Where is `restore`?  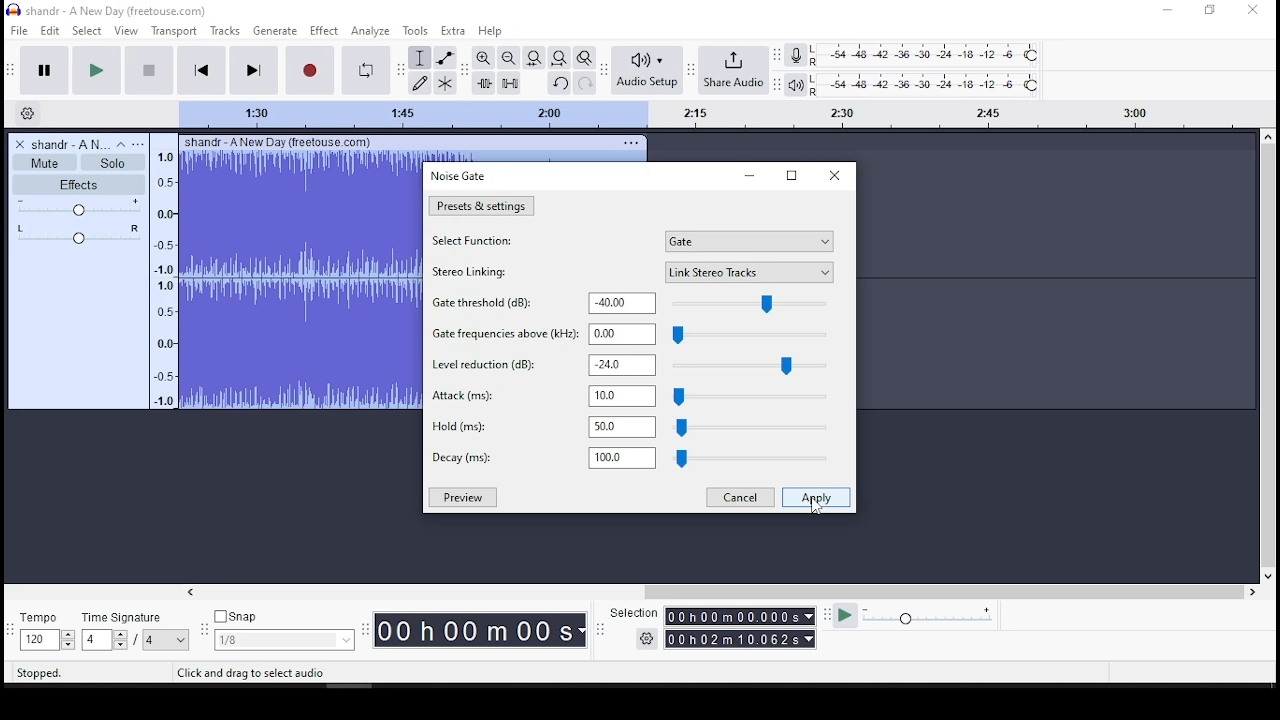
restore is located at coordinates (791, 175).